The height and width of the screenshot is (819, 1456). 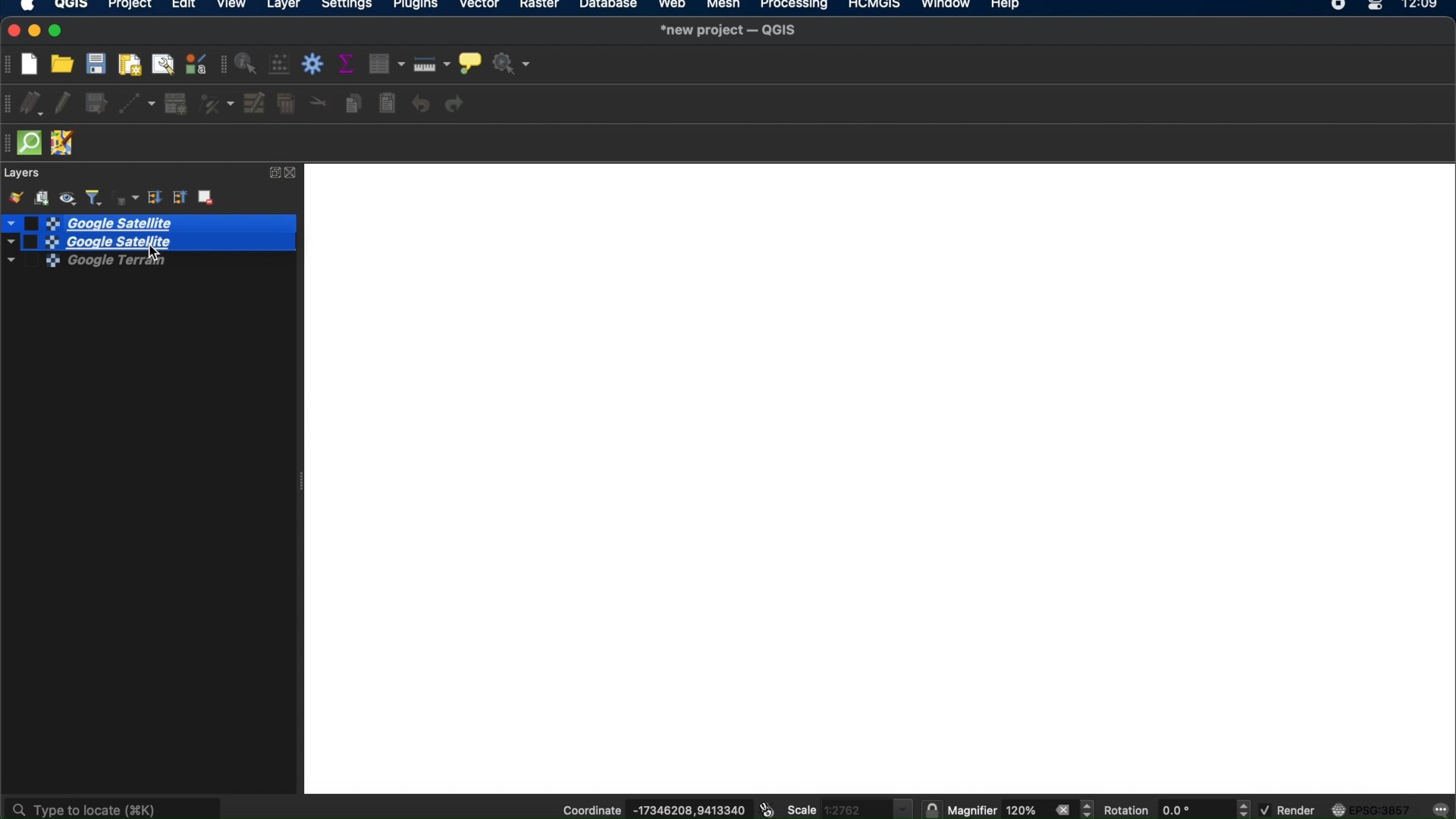 What do you see at coordinates (1442, 808) in the screenshot?
I see `messages` at bounding box center [1442, 808].